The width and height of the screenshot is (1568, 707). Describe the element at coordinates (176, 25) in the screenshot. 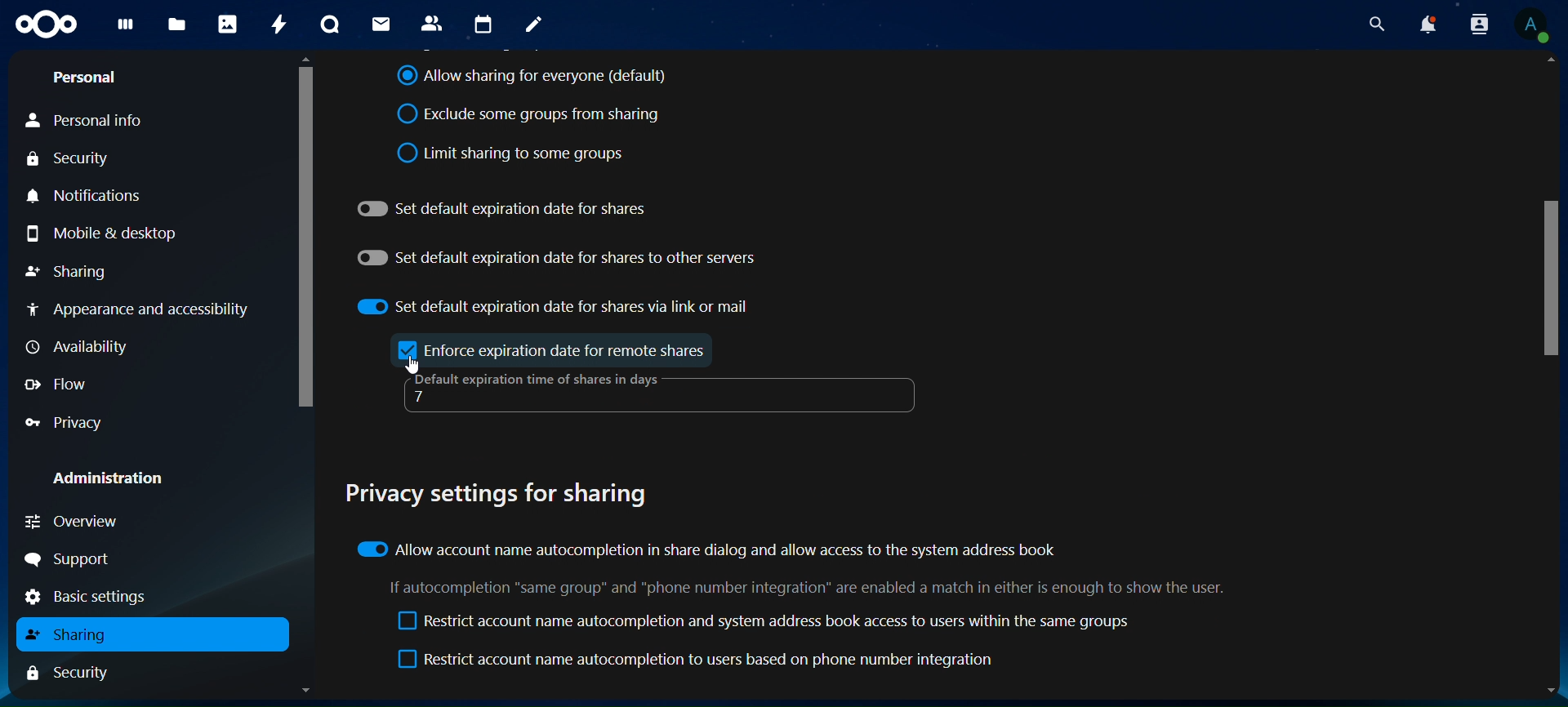

I see `files` at that location.